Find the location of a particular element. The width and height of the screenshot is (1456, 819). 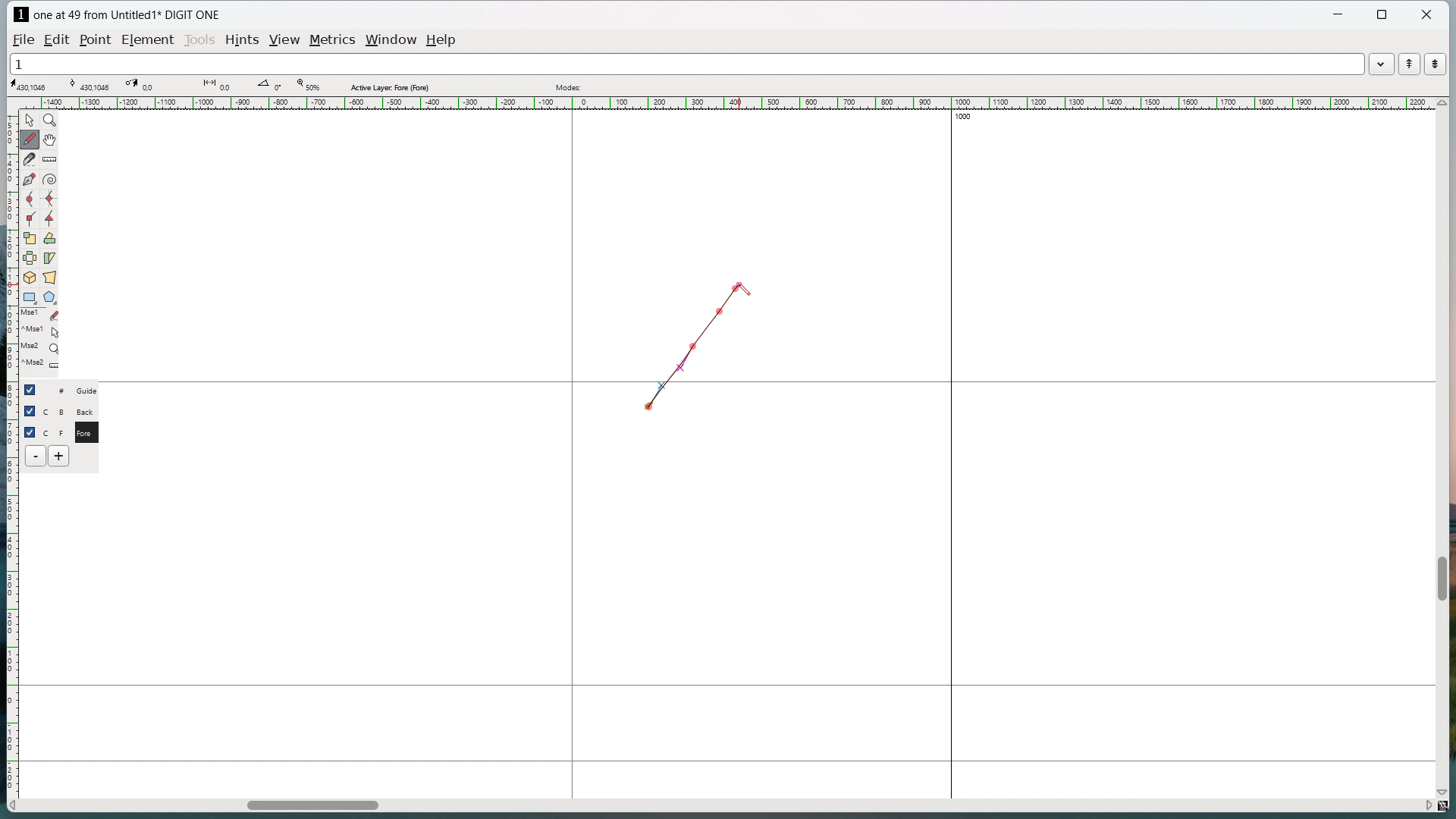

Active layer fore is located at coordinates (391, 86).